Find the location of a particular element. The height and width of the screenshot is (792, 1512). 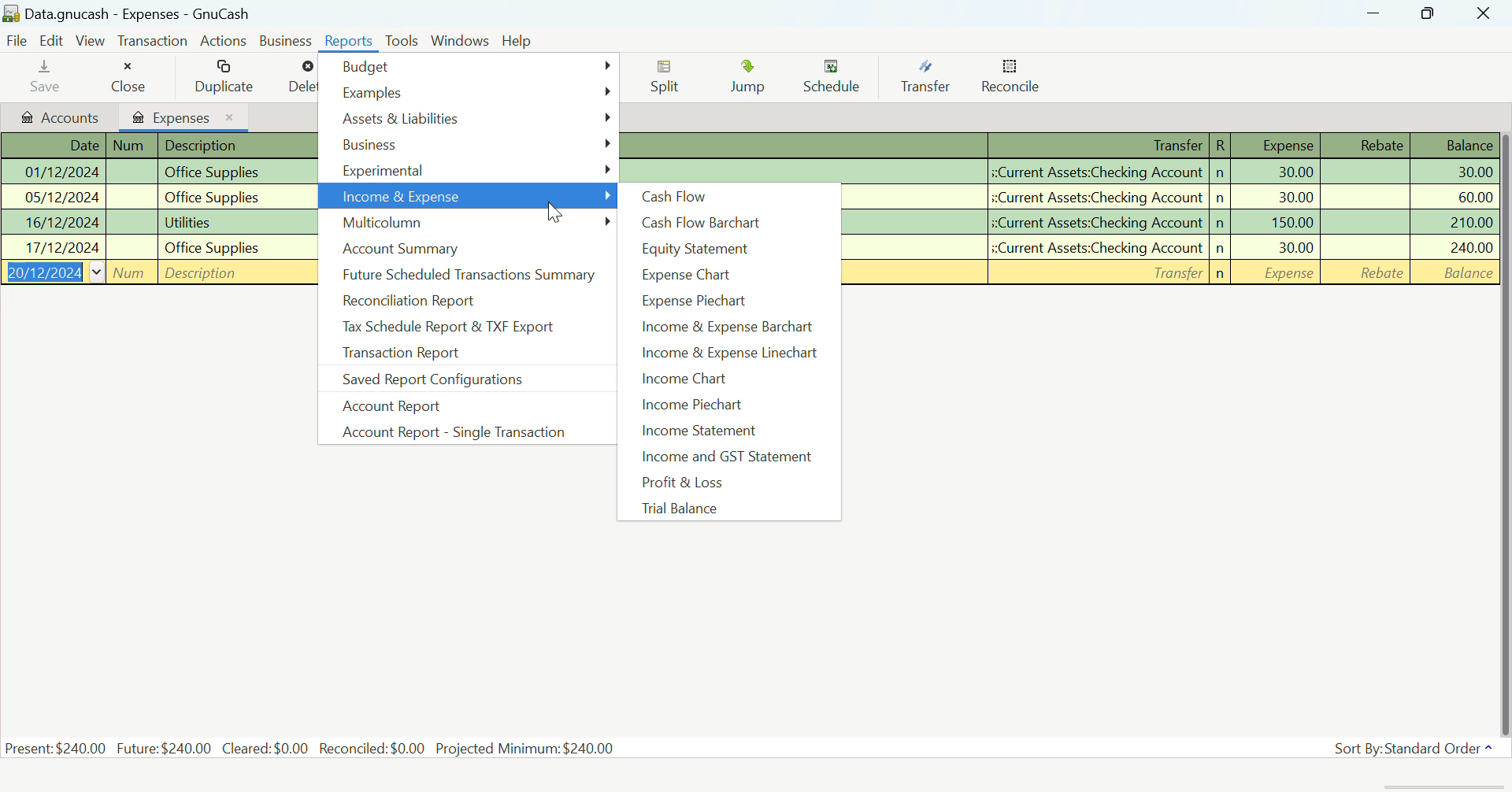

Reconciliation Report is located at coordinates (459, 298).